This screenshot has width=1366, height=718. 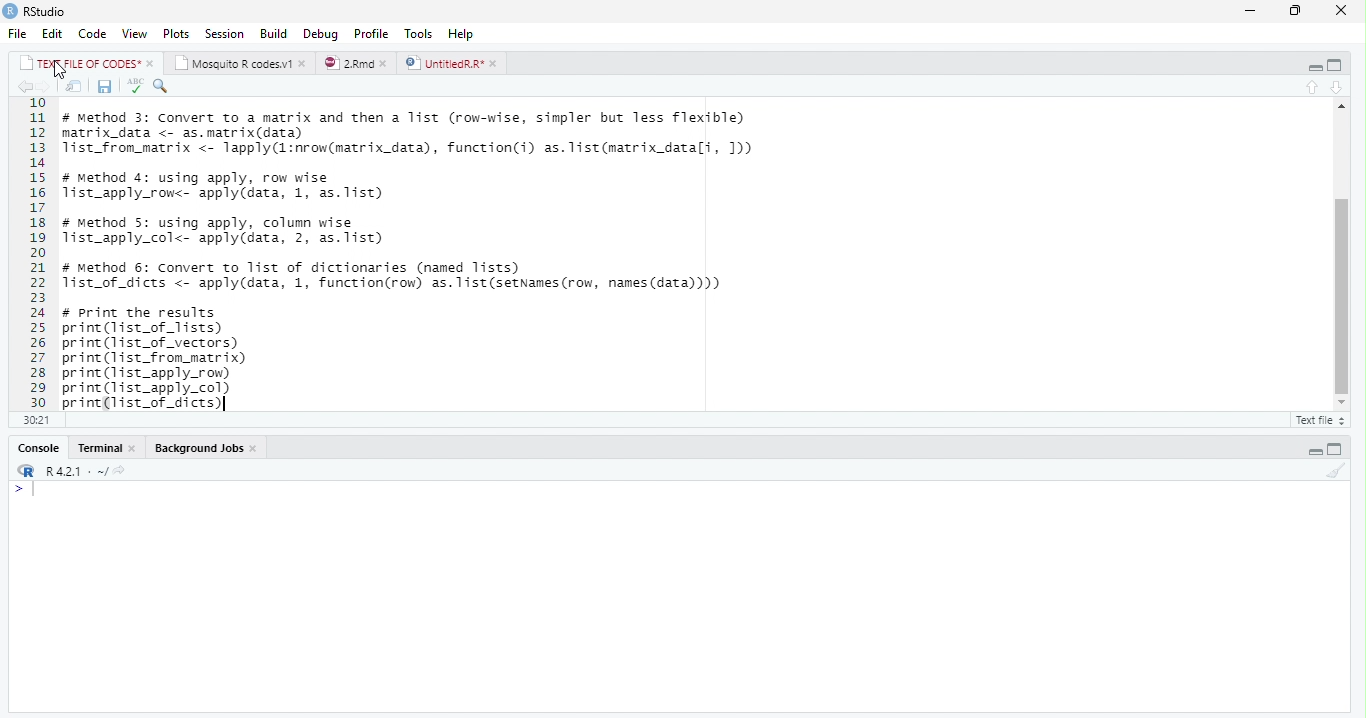 I want to click on View, so click(x=135, y=32).